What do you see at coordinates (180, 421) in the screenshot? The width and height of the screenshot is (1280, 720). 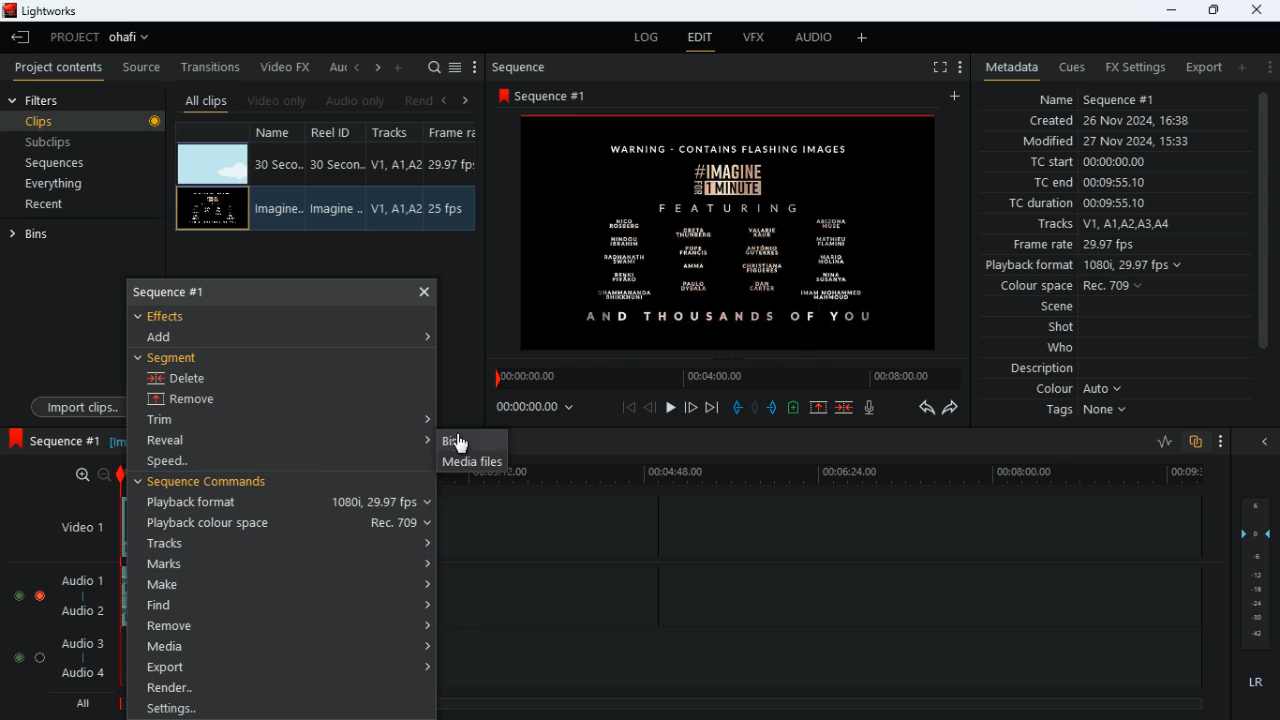 I see `trim` at bounding box center [180, 421].